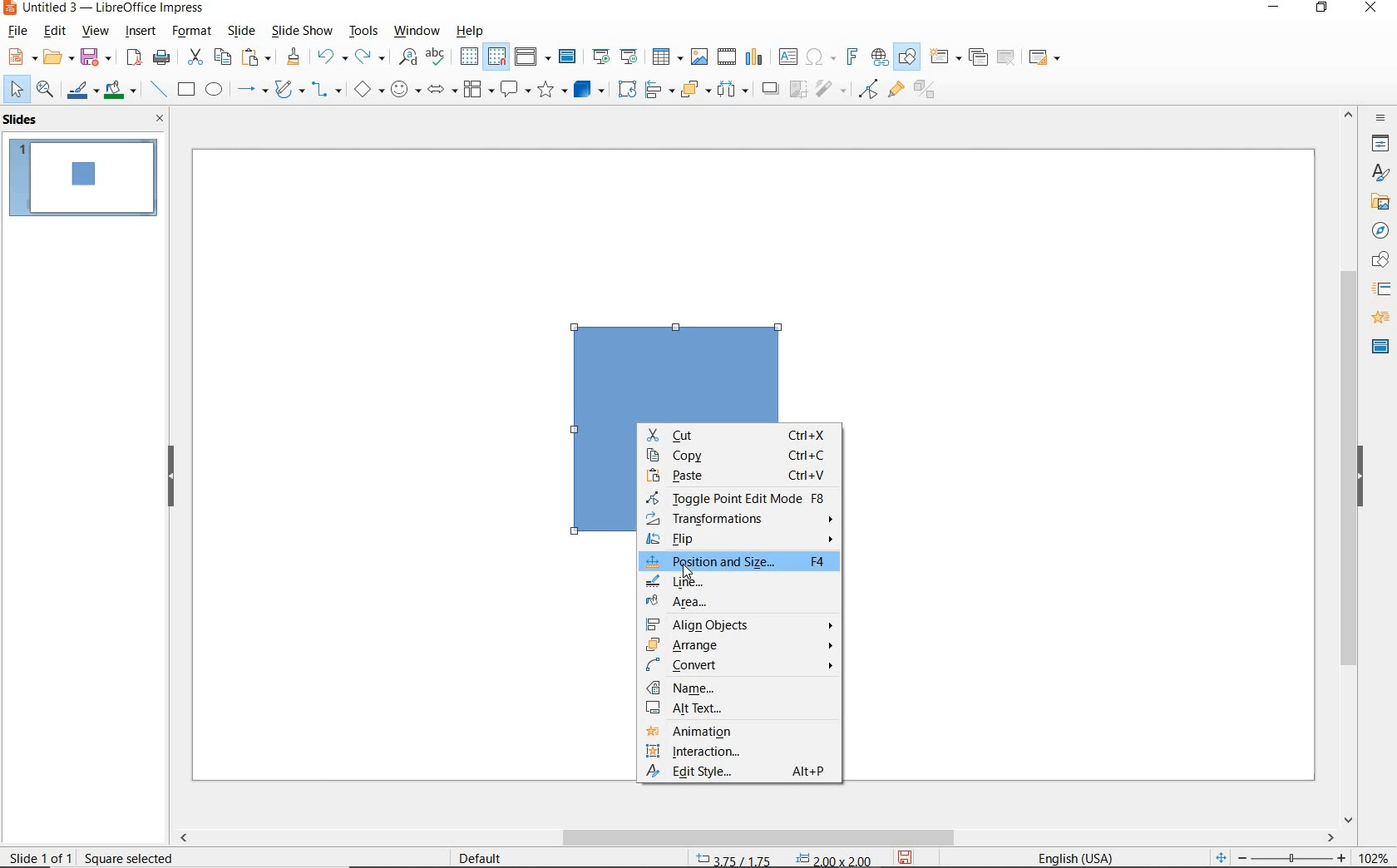 This screenshot has height=868, width=1397. I want to click on slide show, so click(303, 32).